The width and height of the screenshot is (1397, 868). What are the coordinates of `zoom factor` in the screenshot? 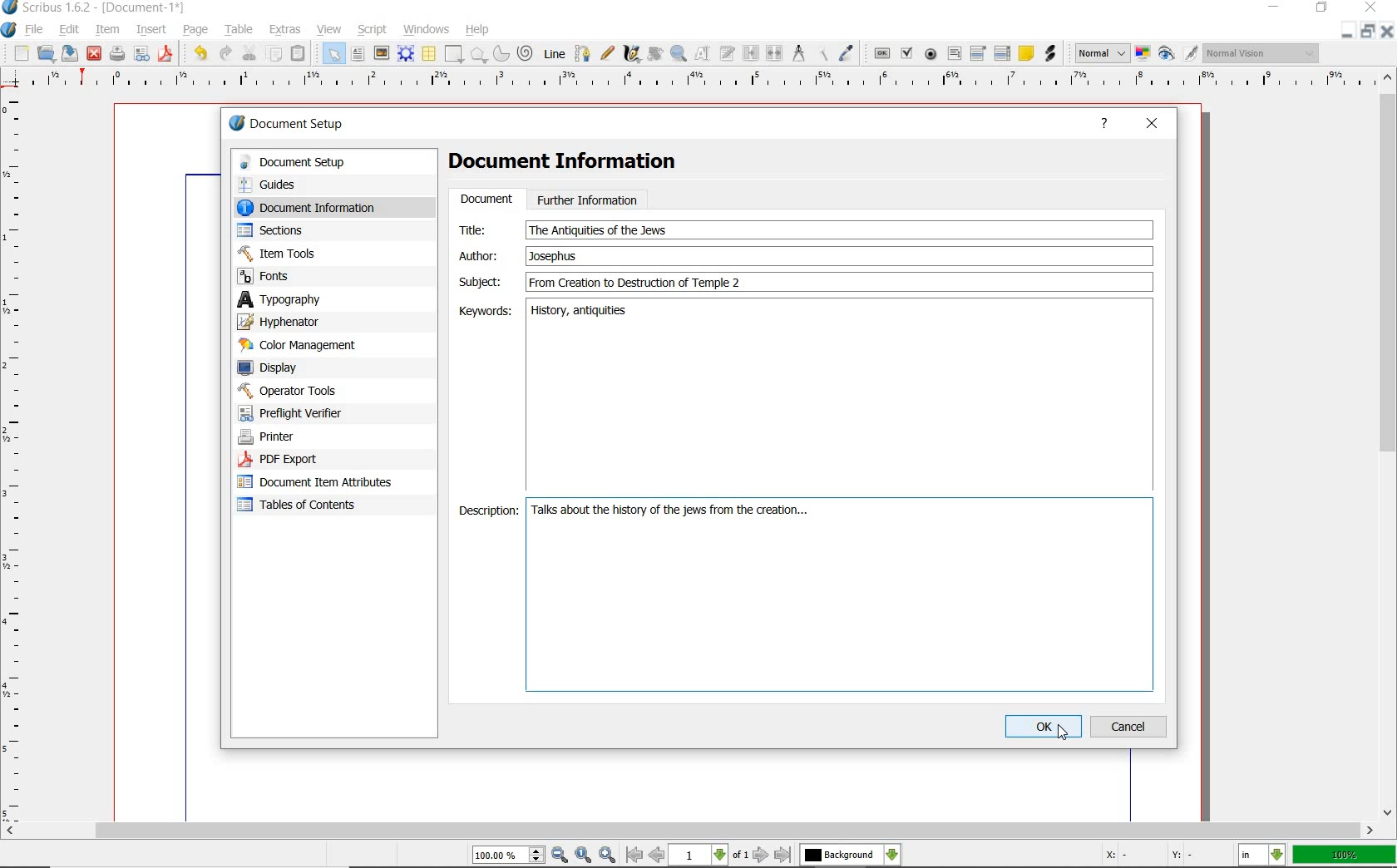 It's located at (1343, 856).